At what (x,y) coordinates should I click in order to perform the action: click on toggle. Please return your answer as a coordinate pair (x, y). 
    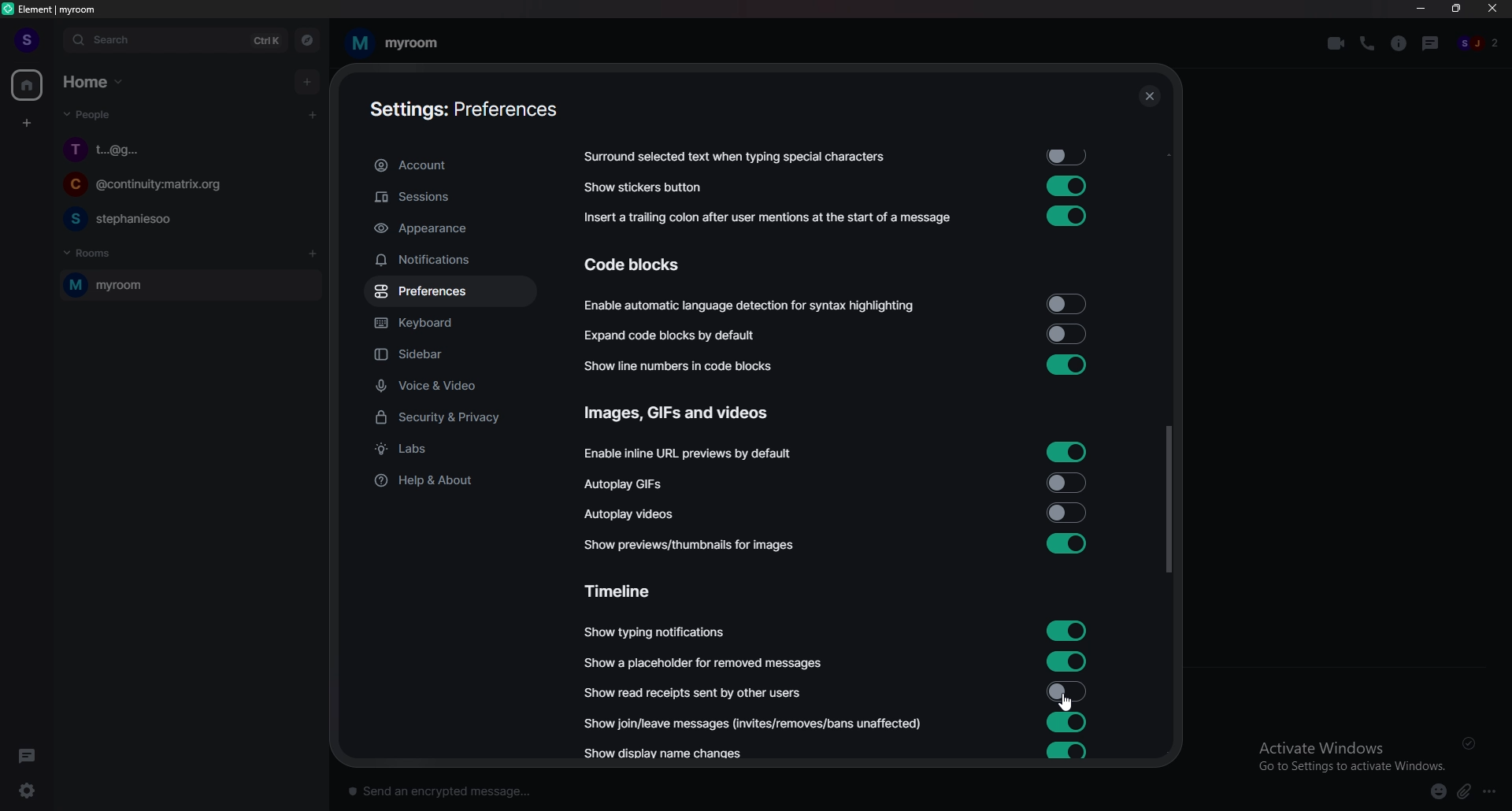
    Looking at the image, I should click on (1067, 451).